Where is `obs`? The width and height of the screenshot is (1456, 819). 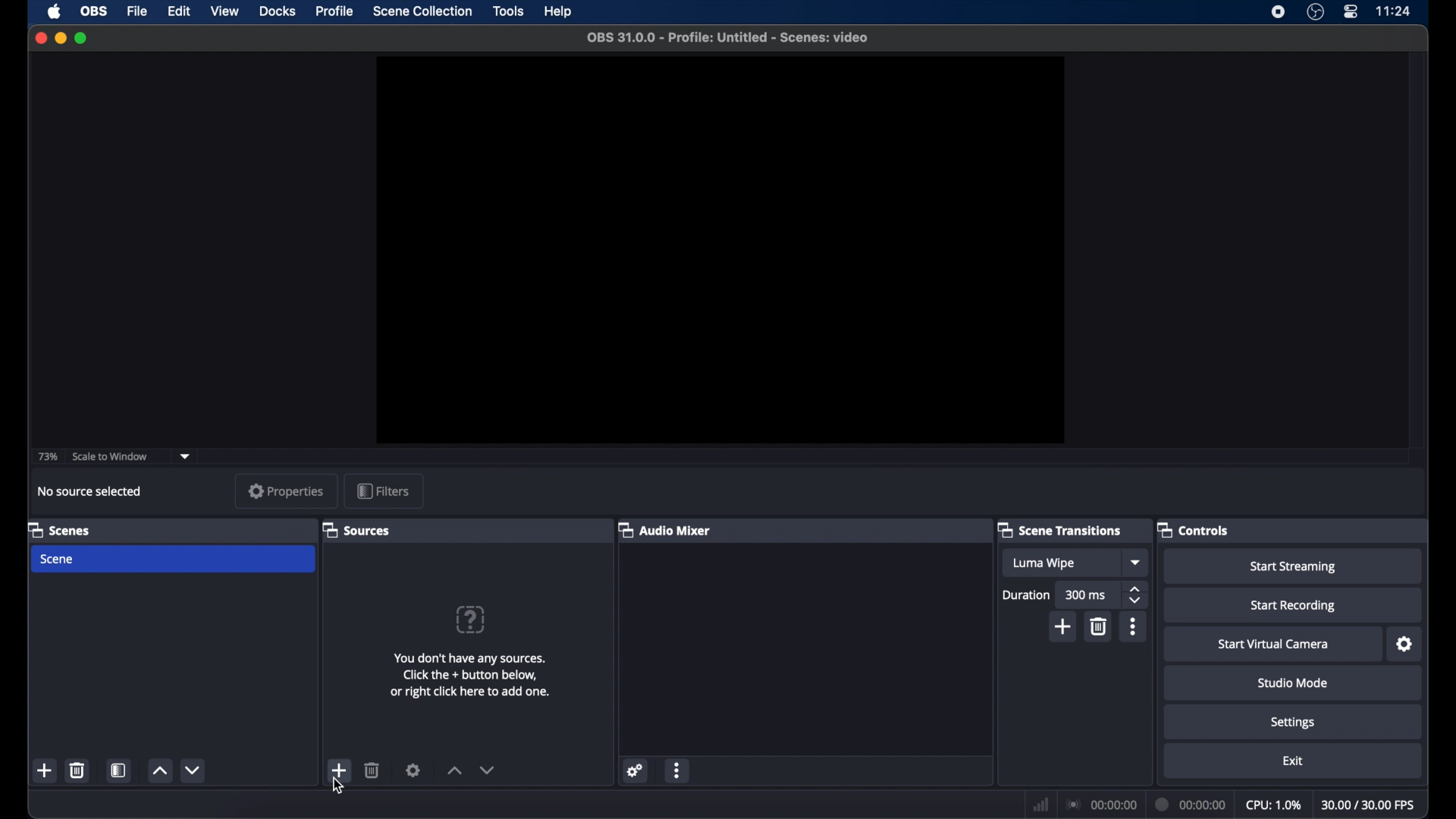
obs is located at coordinates (96, 11).